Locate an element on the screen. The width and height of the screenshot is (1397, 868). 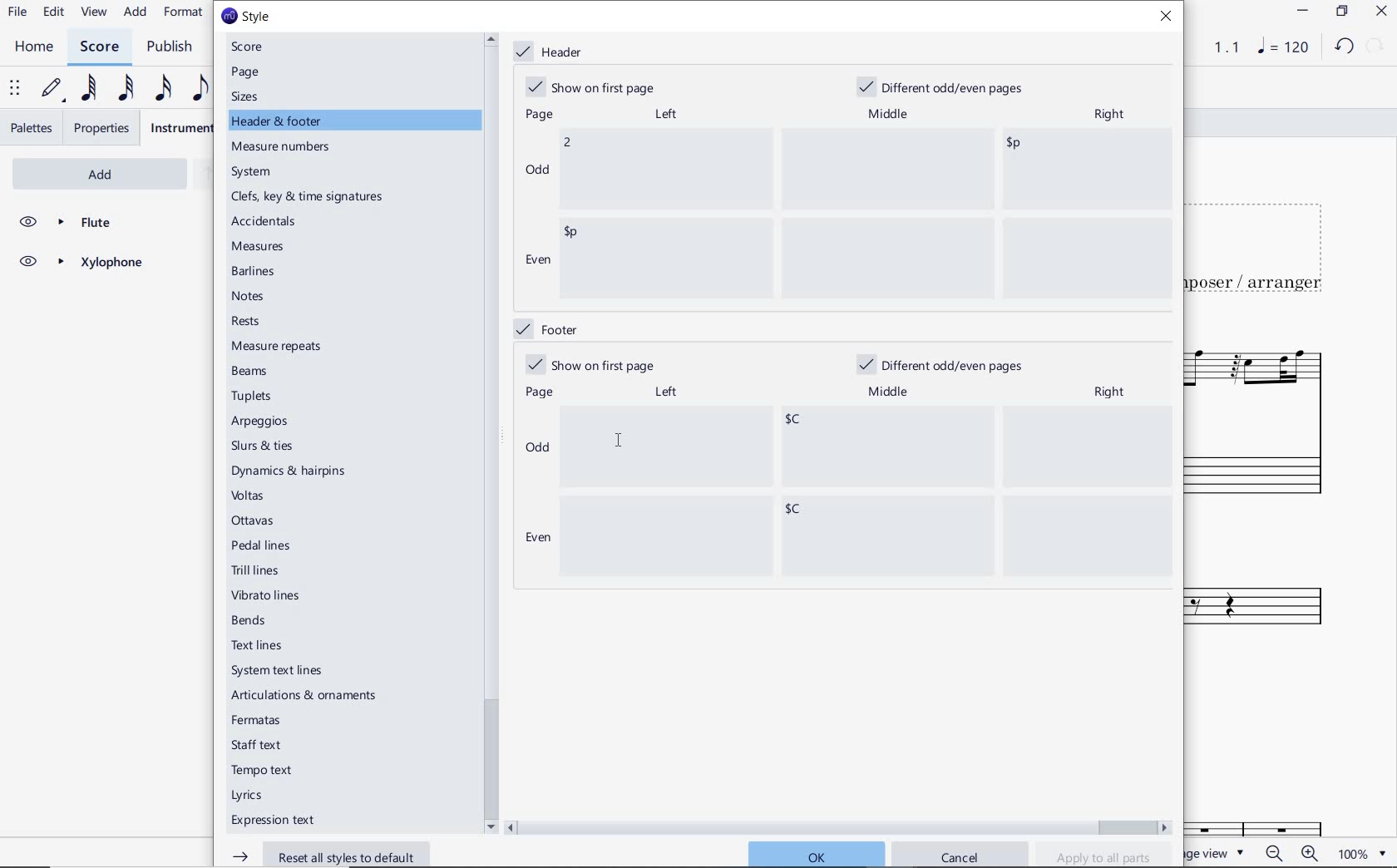
show on first page is located at coordinates (595, 86).